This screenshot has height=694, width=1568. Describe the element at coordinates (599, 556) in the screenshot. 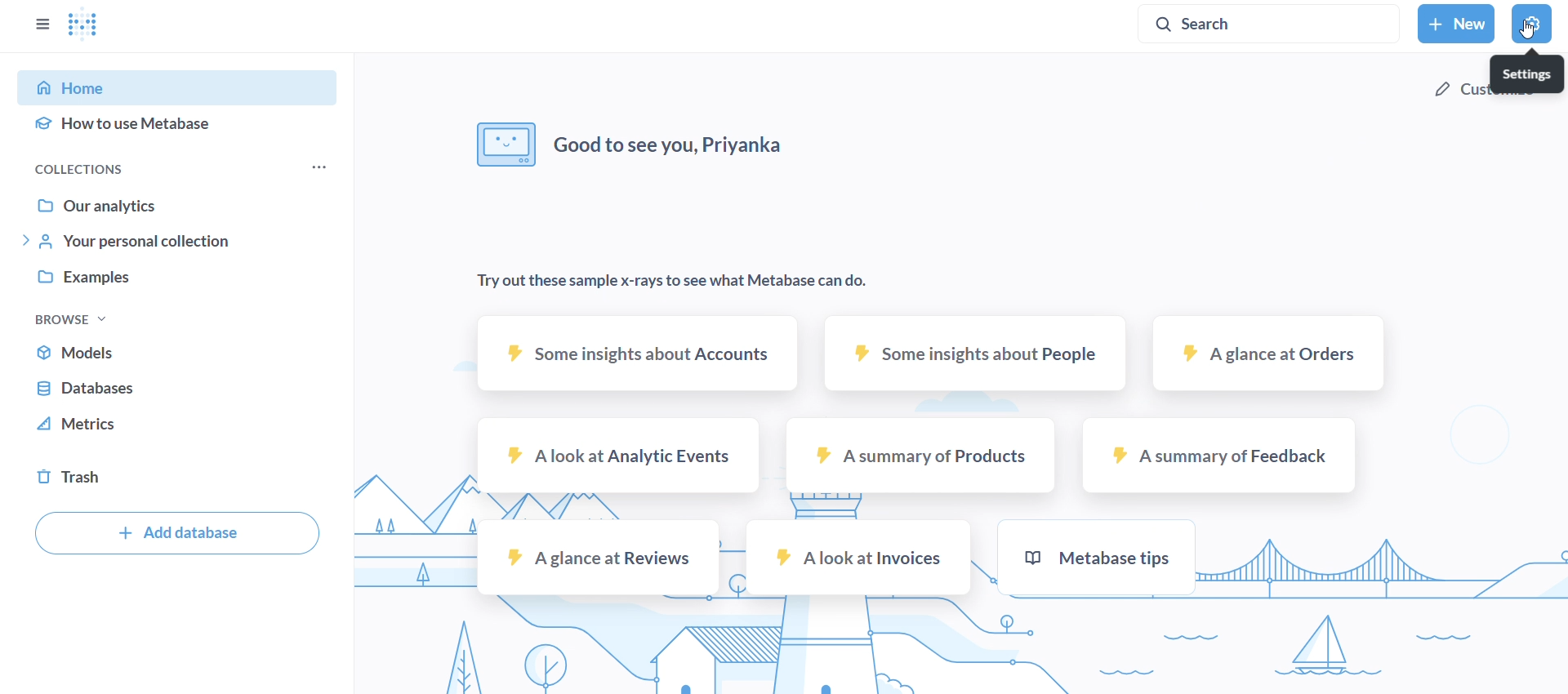

I see `a glance at reviews` at that location.